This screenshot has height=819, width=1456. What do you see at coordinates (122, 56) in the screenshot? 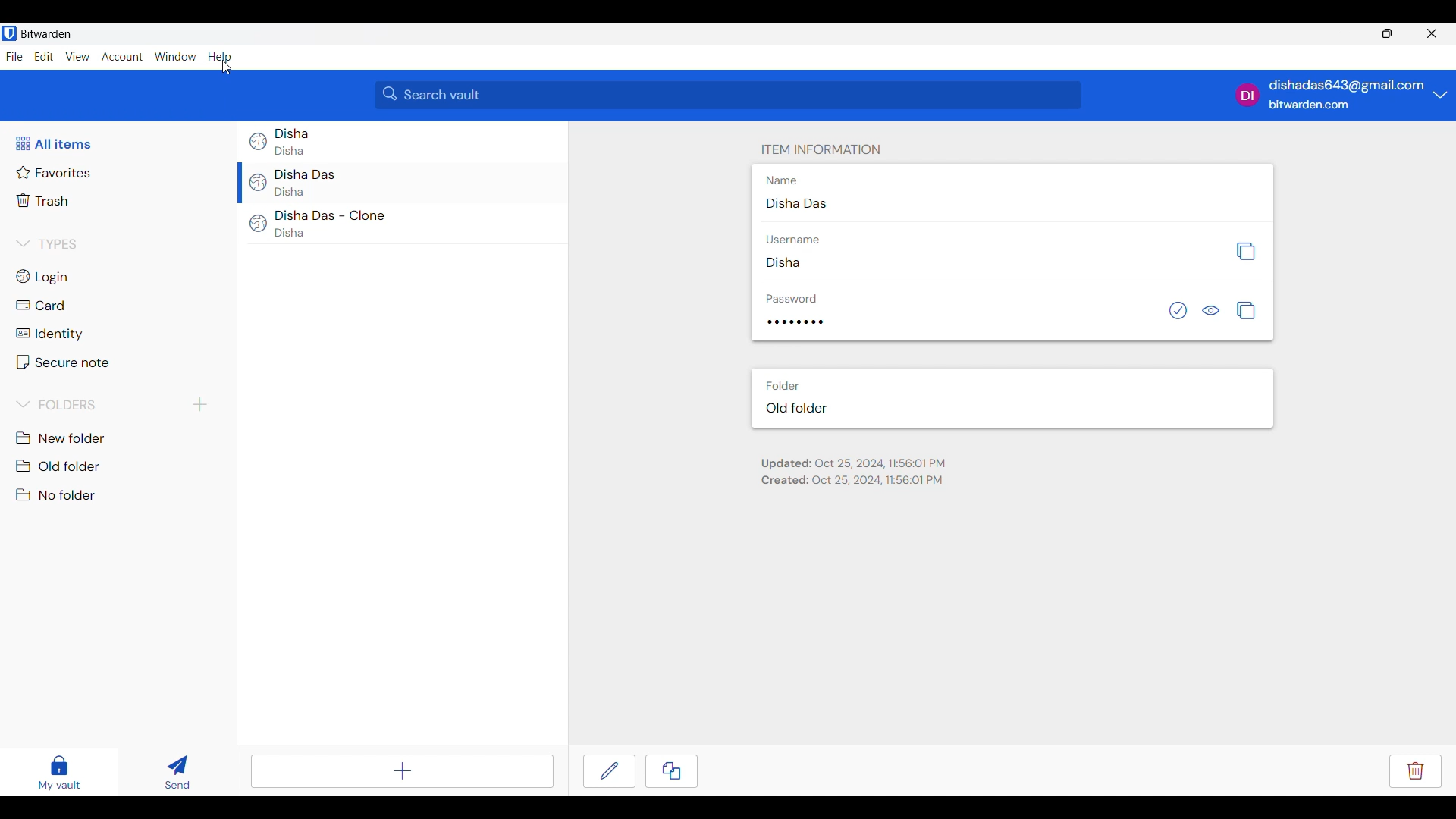
I see `Account menu` at bounding box center [122, 56].